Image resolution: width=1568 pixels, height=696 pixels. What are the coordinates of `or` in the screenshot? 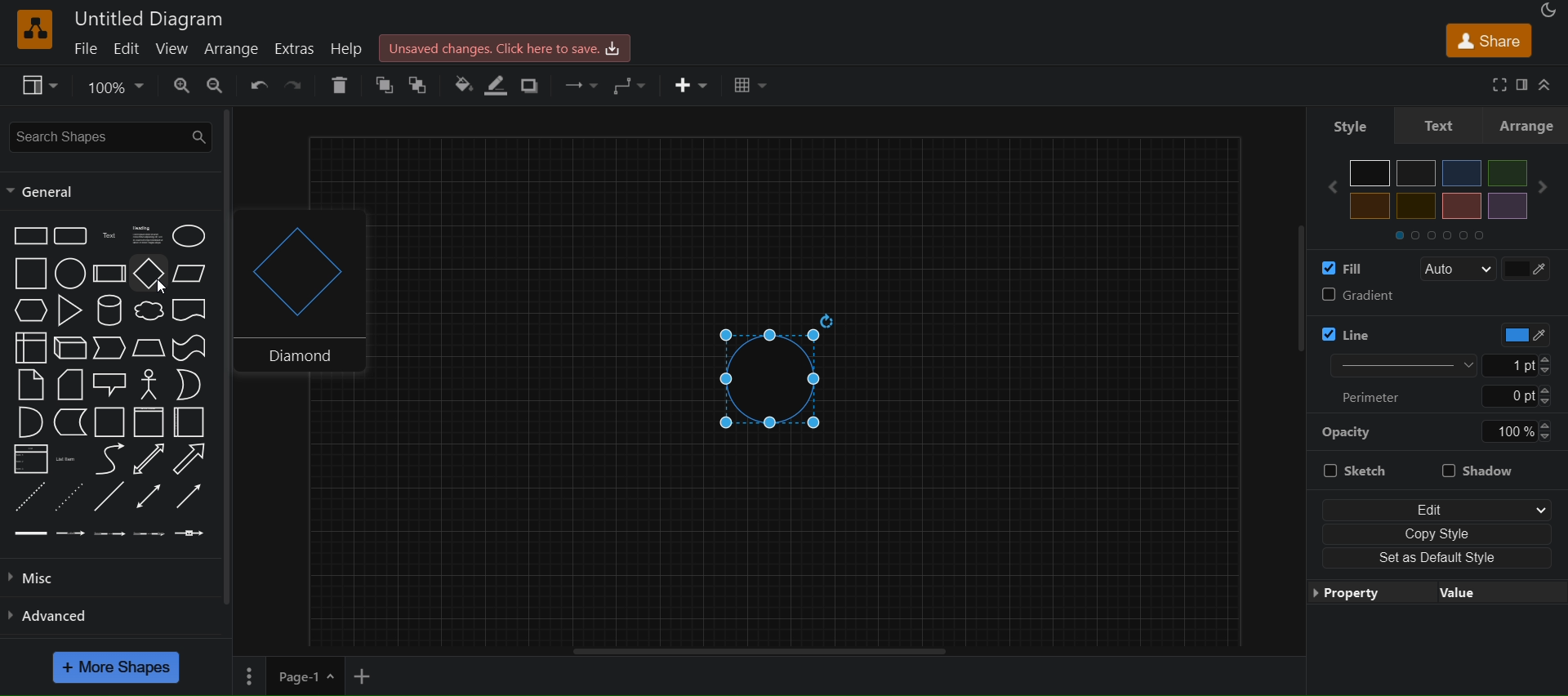 It's located at (189, 384).